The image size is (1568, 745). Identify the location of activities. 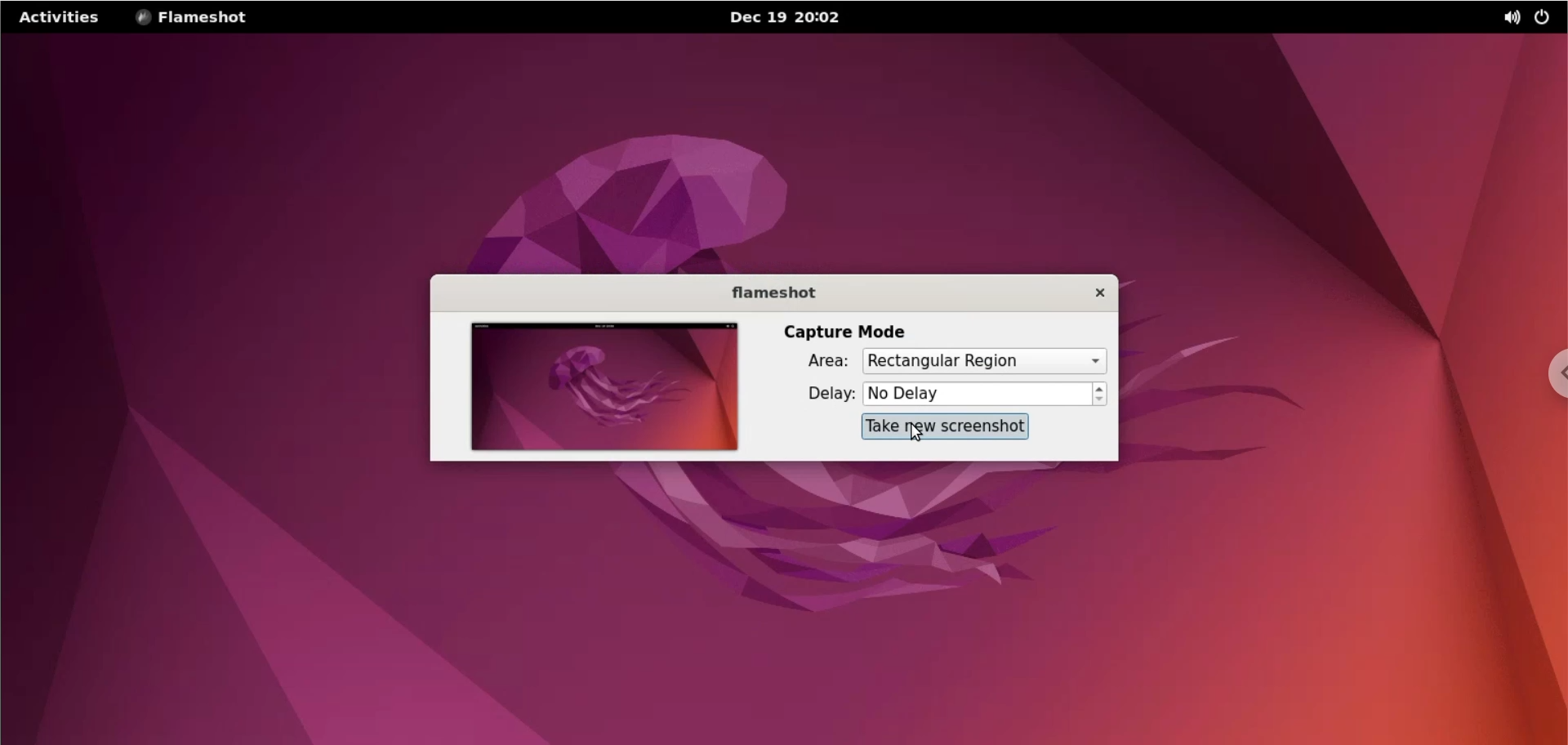
(60, 20).